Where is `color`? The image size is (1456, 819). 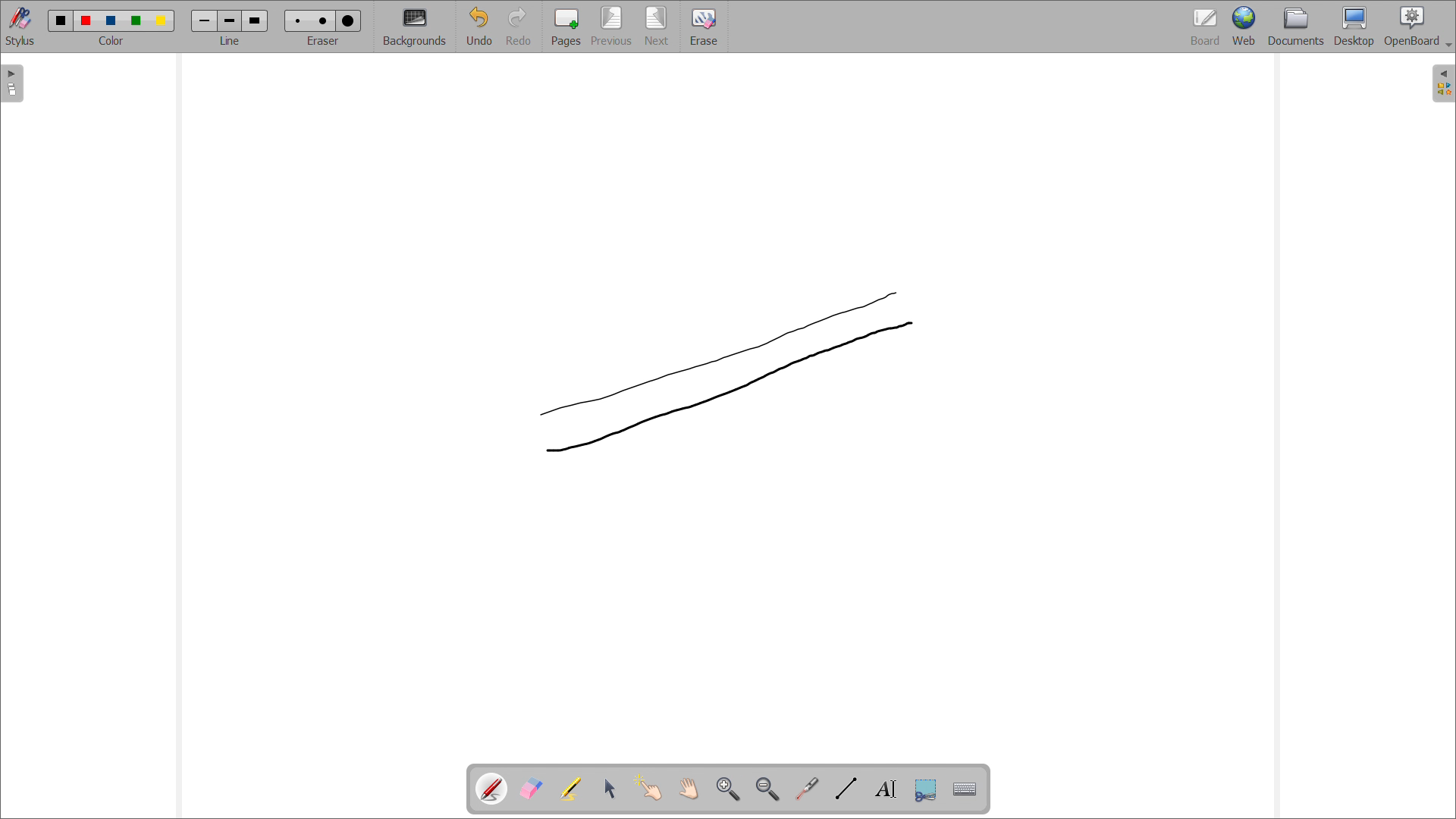
color is located at coordinates (88, 20).